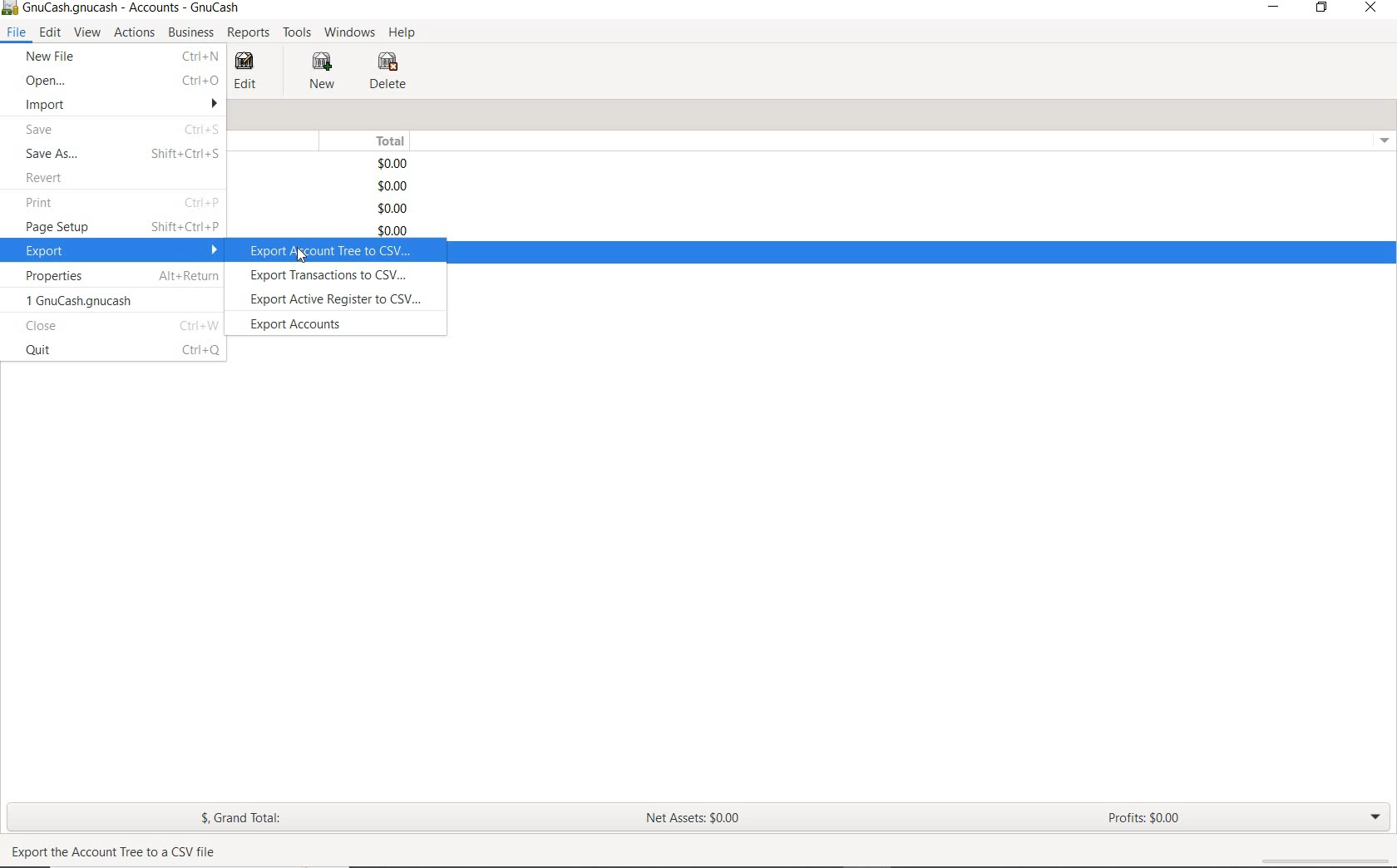  I want to click on cursor, so click(61, 258).